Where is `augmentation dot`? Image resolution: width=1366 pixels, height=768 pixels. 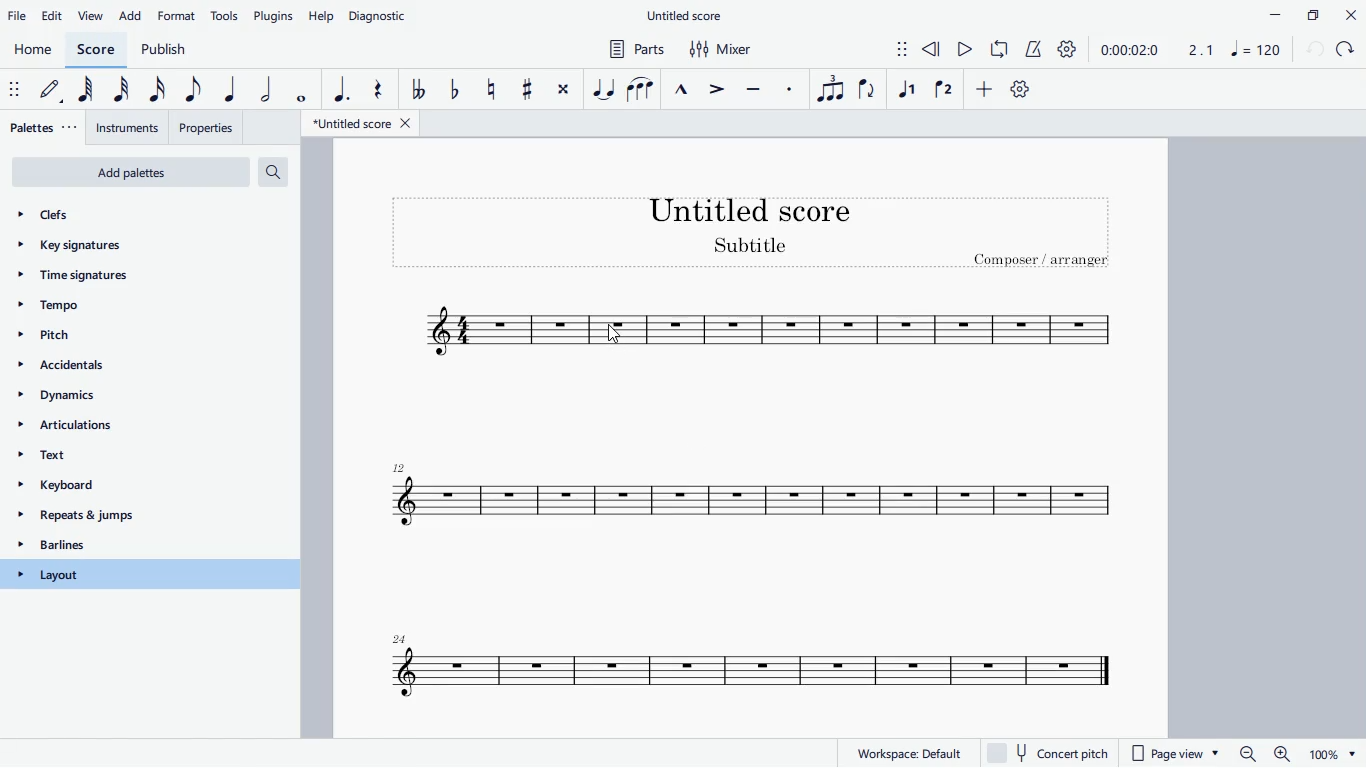
augmentation dot is located at coordinates (338, 89).